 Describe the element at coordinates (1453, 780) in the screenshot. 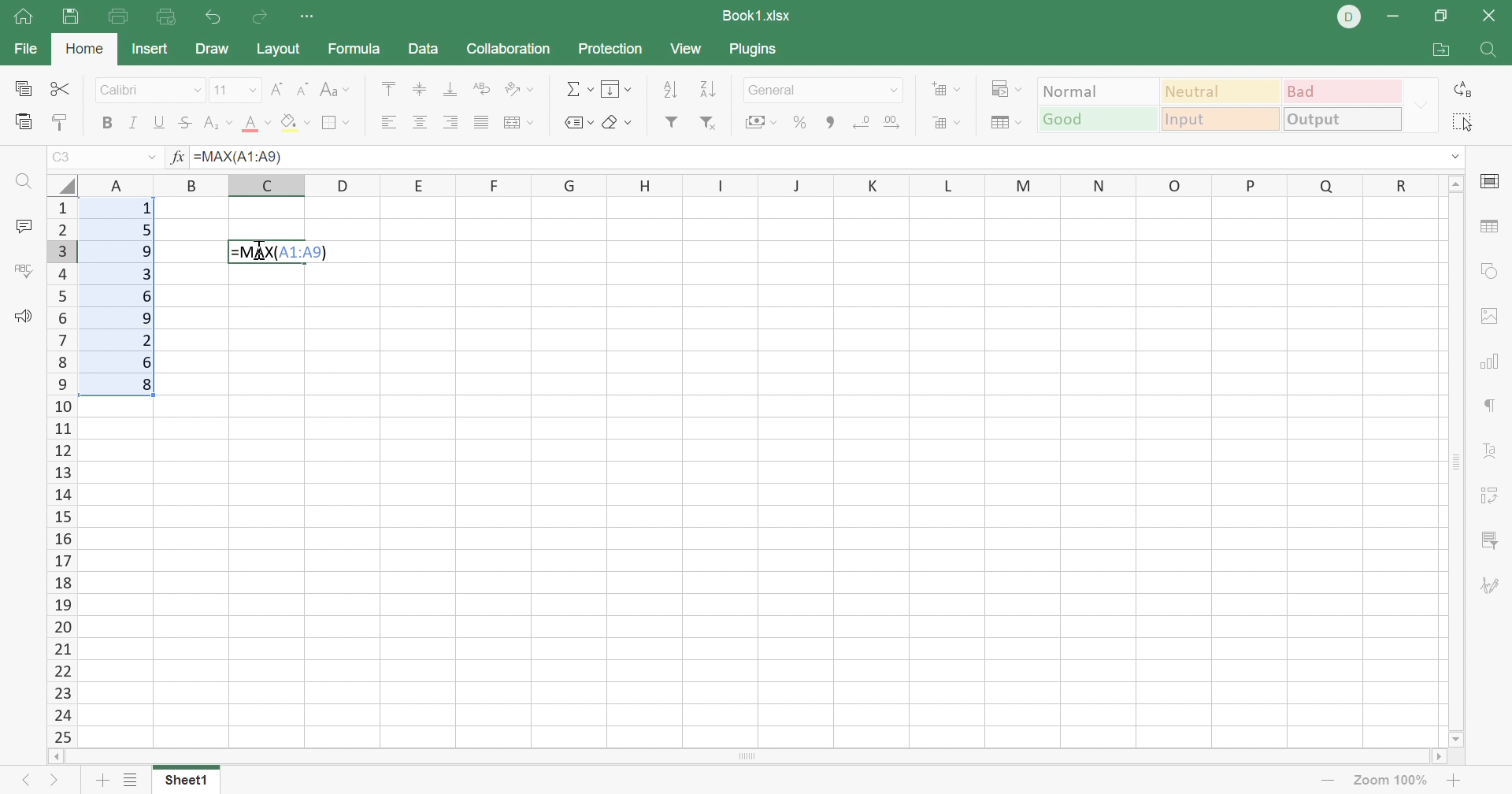

I see `Zoom in` at that location.